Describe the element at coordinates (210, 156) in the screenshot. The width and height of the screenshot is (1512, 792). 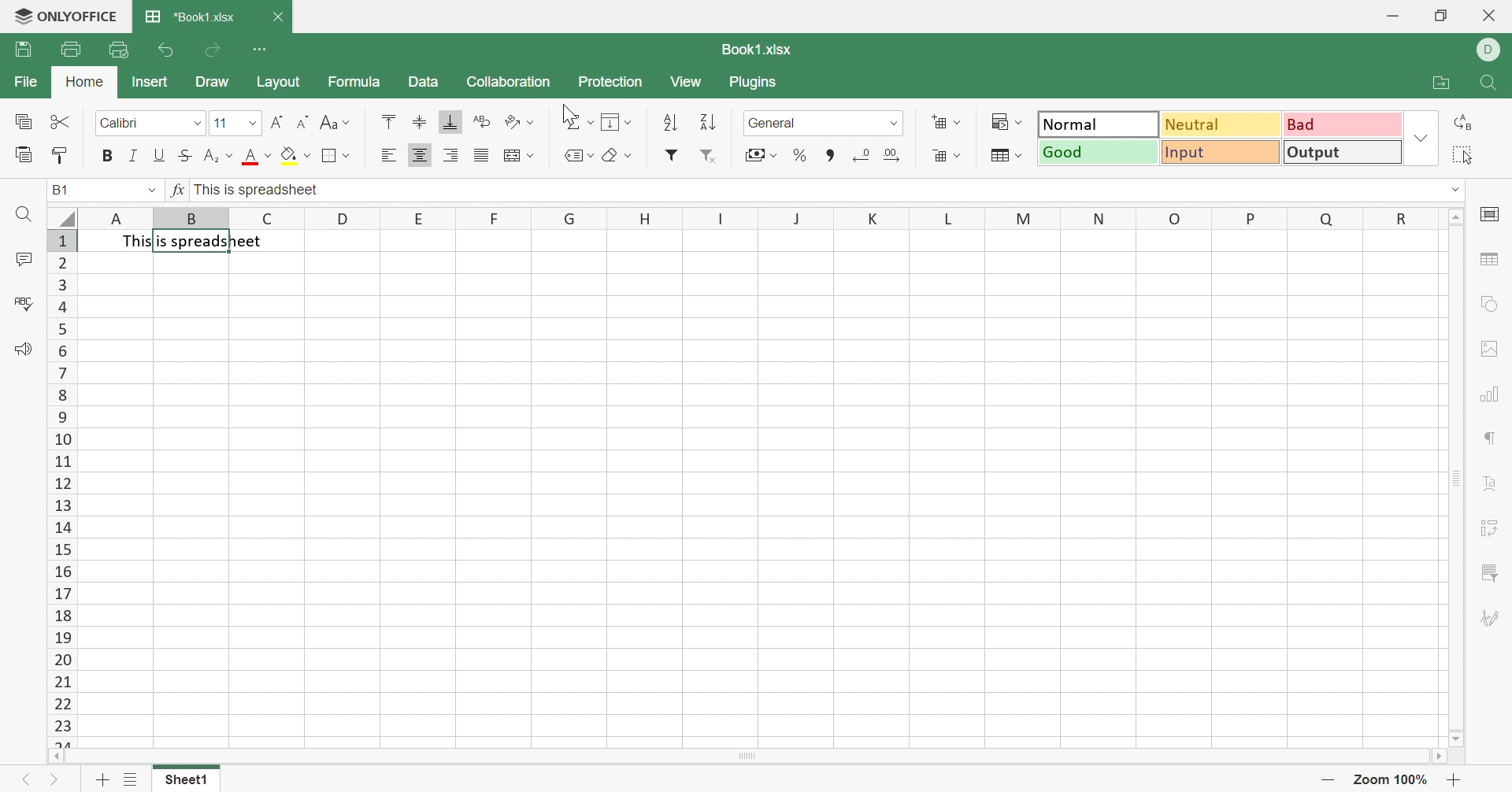
I see `Superscript/Subscript` at that location.